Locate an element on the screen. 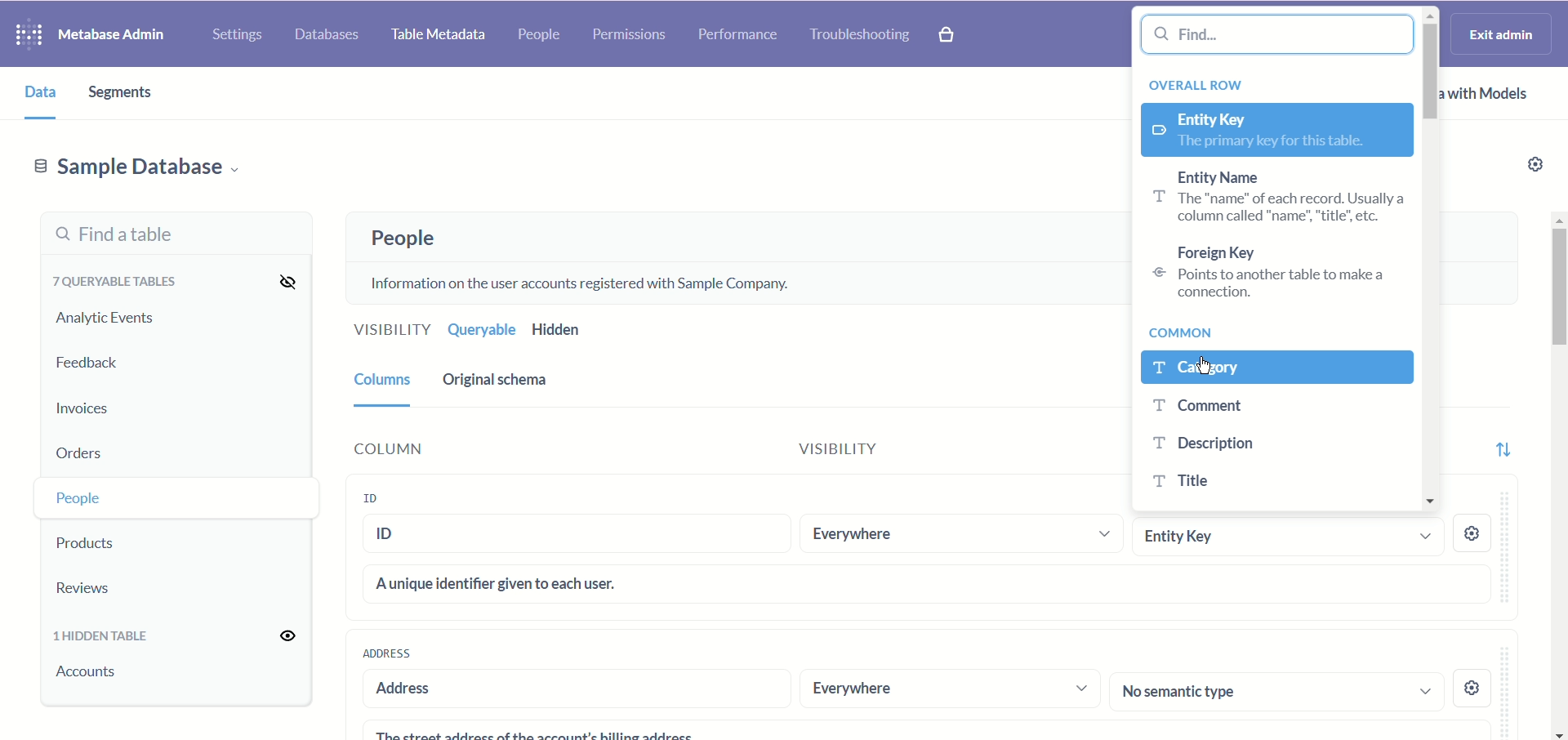 This screenshot has width=1568, height=740. Original schema is located at coordinates (498, 380).